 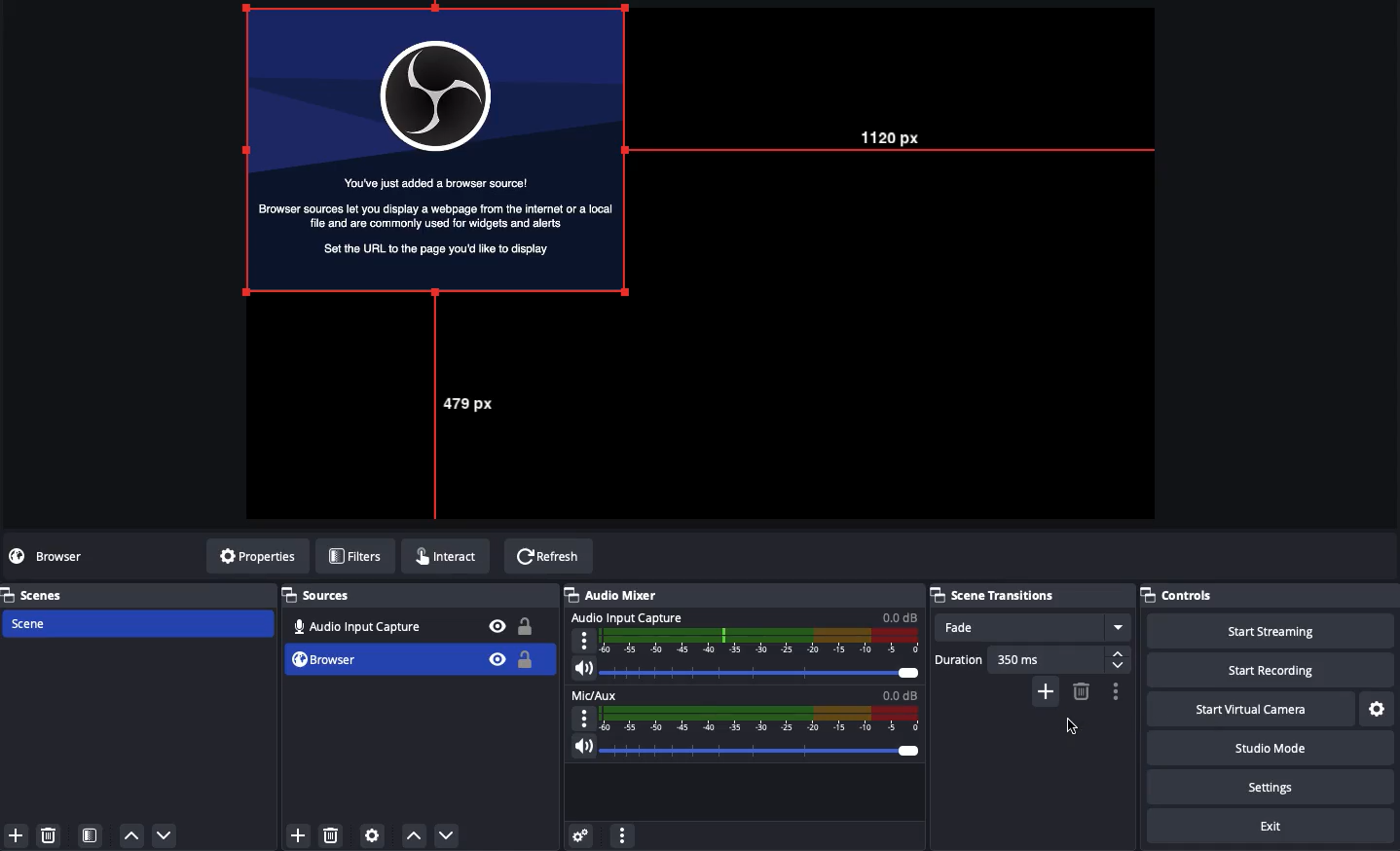 I want to click on Add, so click(x=299, y=834).